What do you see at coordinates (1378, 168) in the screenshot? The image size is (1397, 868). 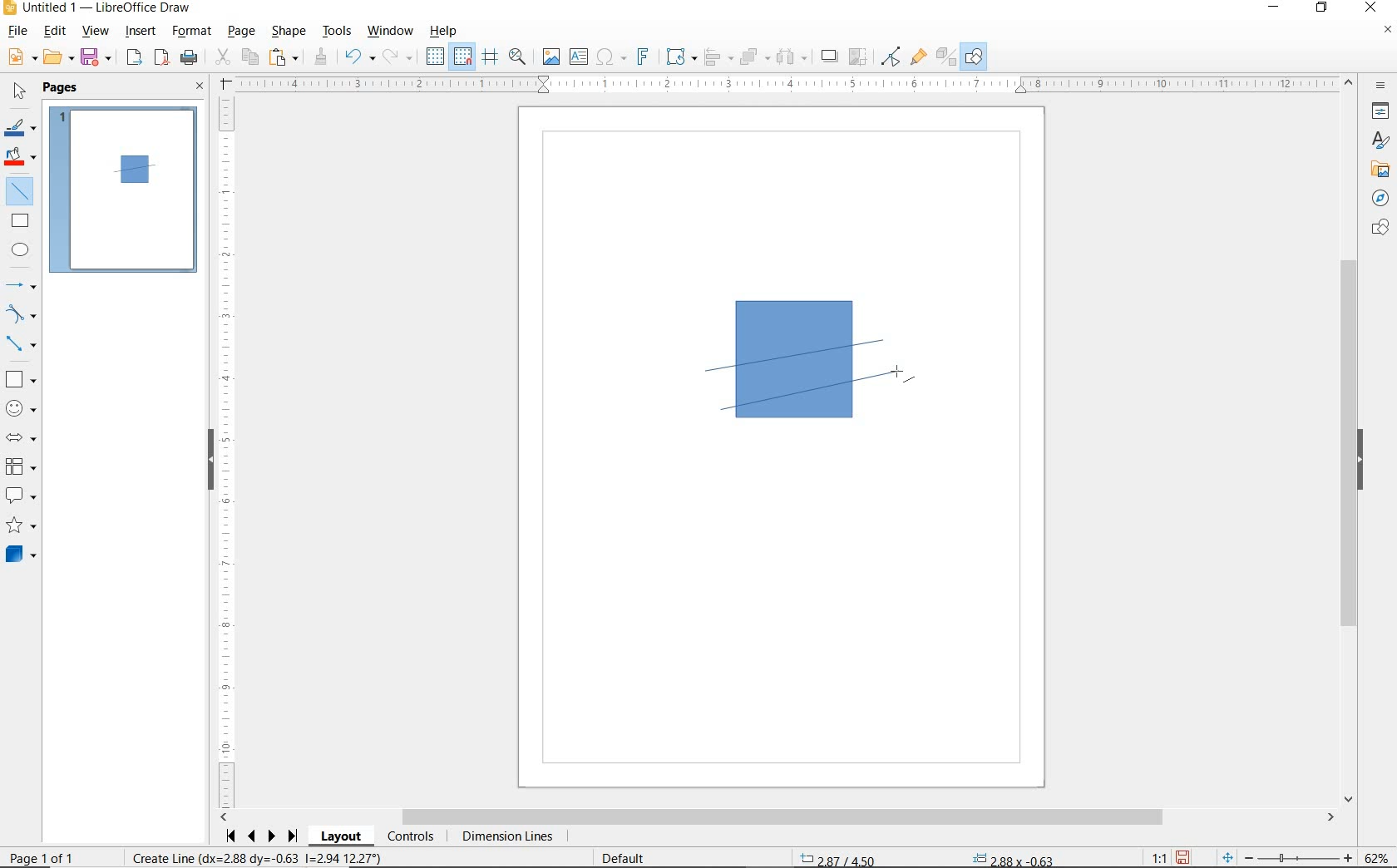 I see `GALLERY` at bounding box center [1378, 168].